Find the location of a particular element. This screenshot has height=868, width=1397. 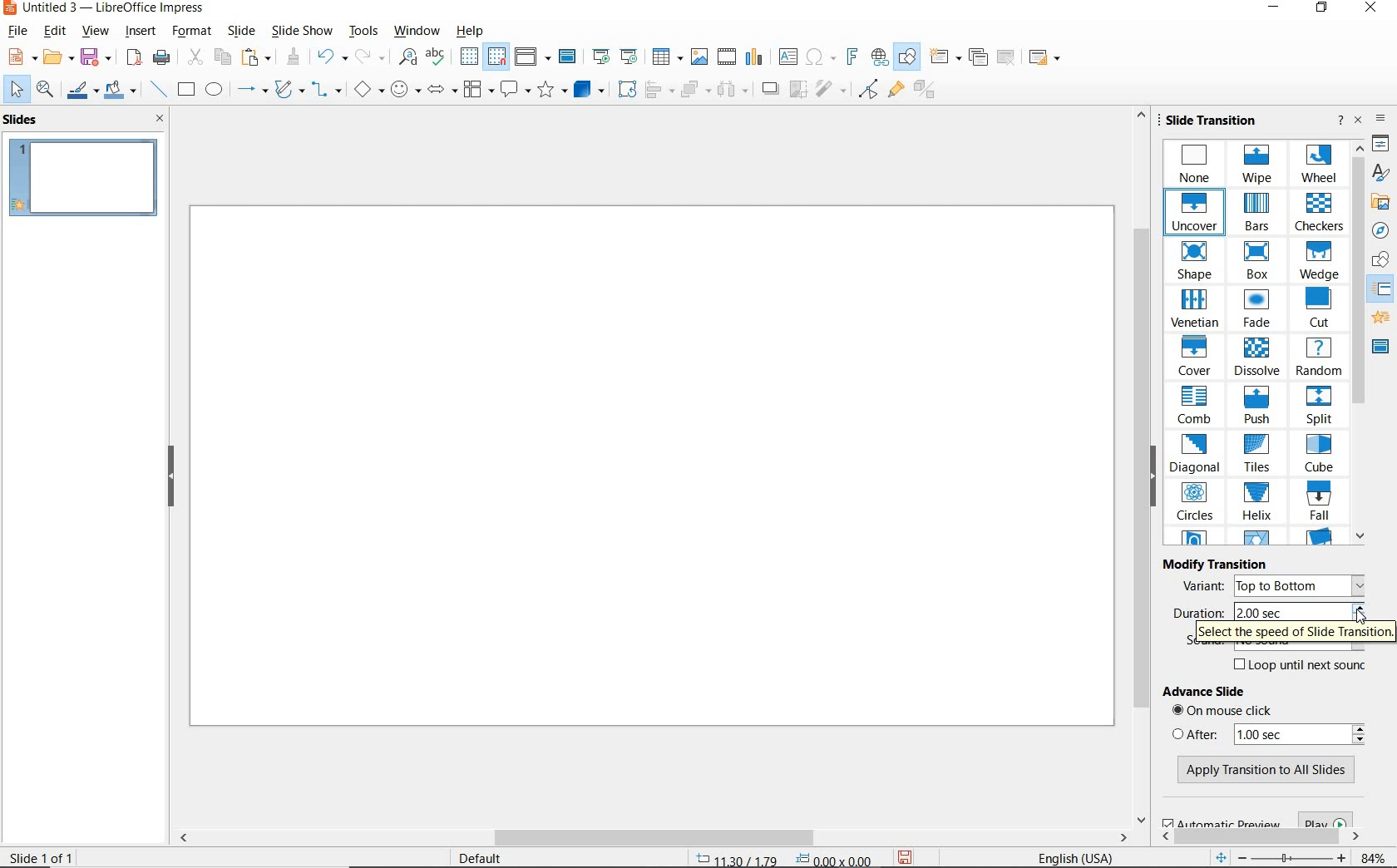

HELIX is located at coordinates (1256, 503).